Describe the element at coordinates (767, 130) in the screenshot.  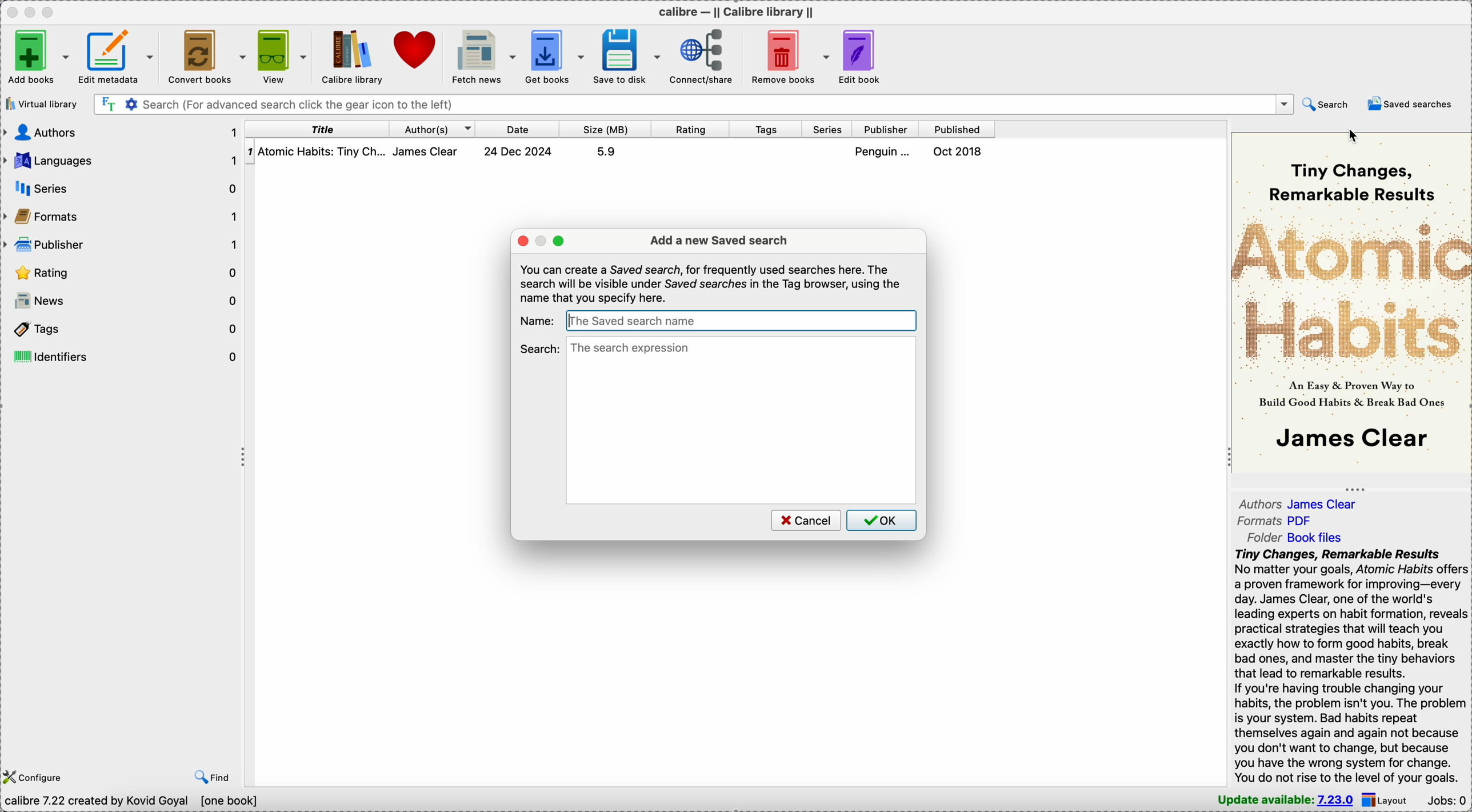
I see `tags` at that location.